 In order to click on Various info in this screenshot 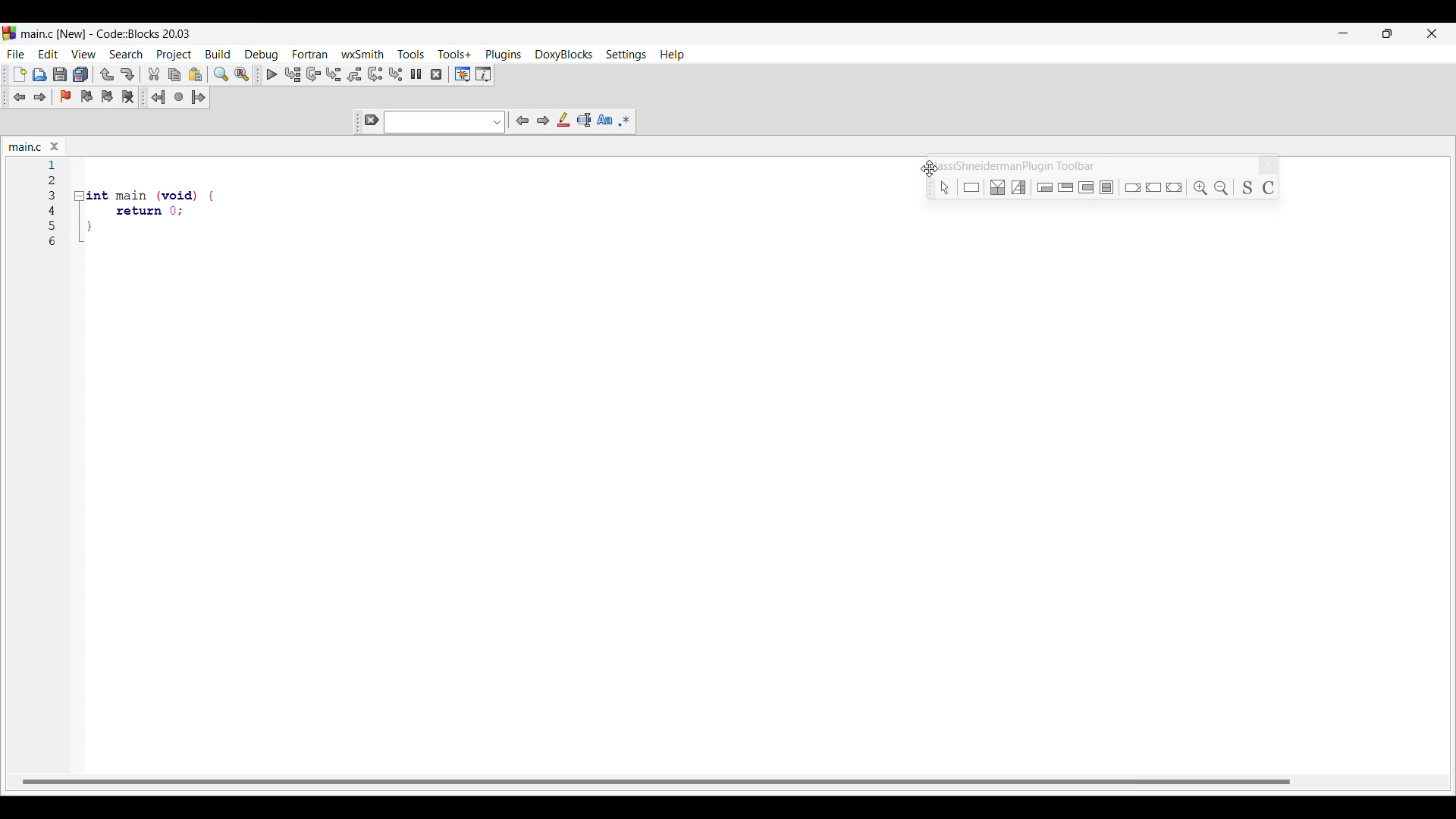, I will do `click(484, 74)`.